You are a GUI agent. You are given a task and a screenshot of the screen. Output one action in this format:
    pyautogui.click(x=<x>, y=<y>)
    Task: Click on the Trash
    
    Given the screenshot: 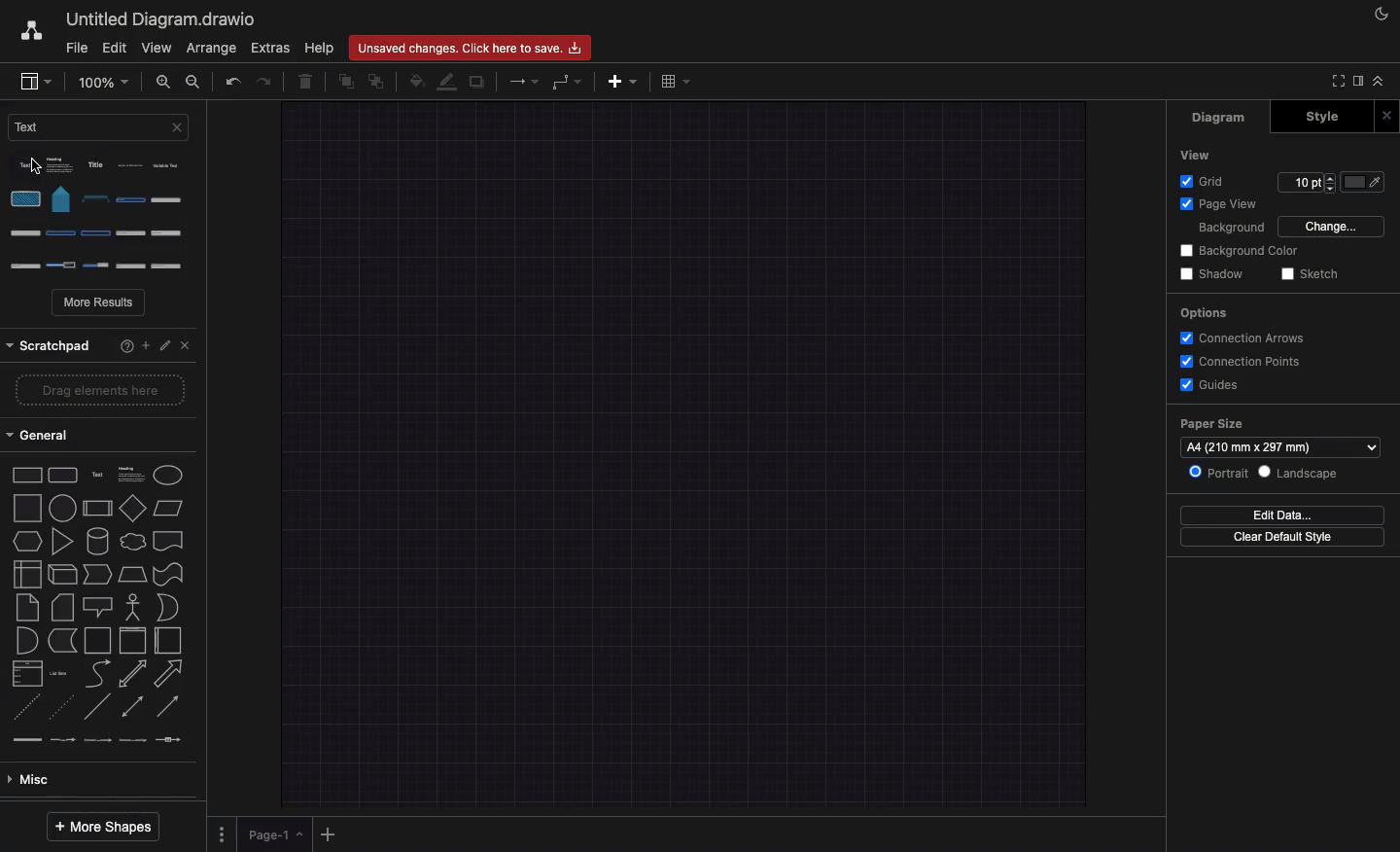 What is the action you would take?
    pyautogui.click(x=307, y=84)
    